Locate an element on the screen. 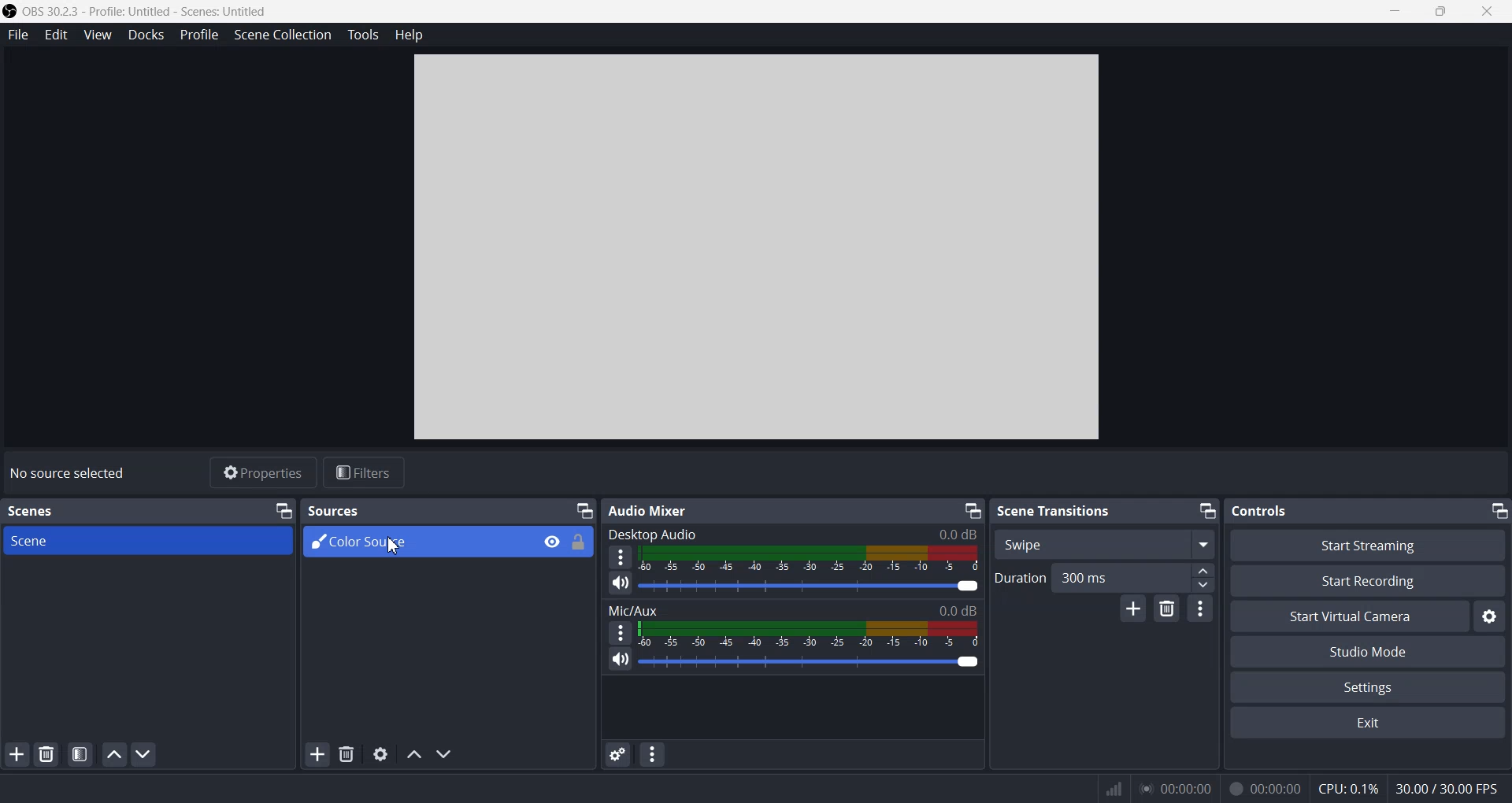  Mute/ Unmute is located at coordinates (621, 584).